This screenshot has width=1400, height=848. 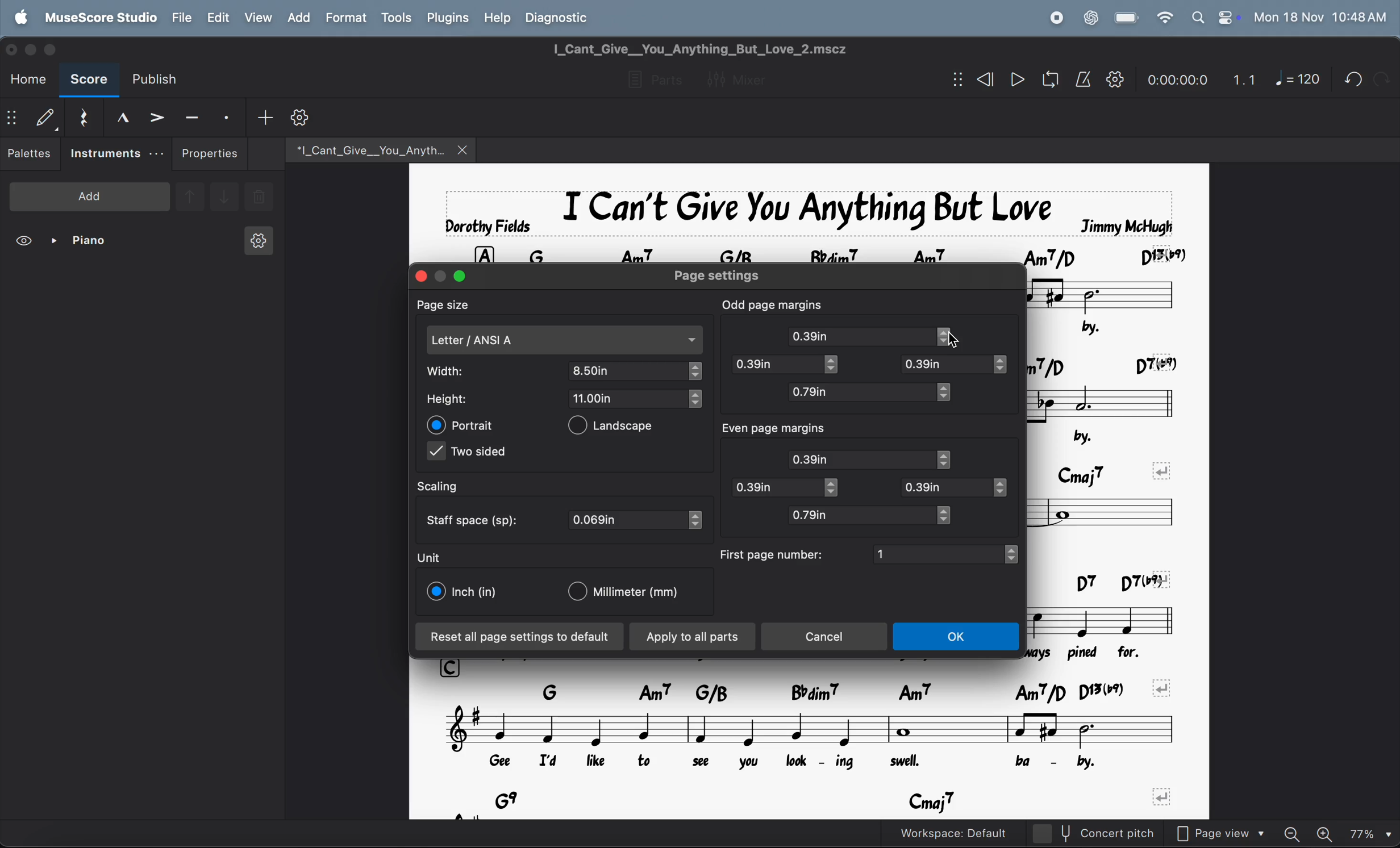 What do you see at coordinates (1101, 582) in the screenshot?
I see `chord symbols` at bounding box center [1101, 582].